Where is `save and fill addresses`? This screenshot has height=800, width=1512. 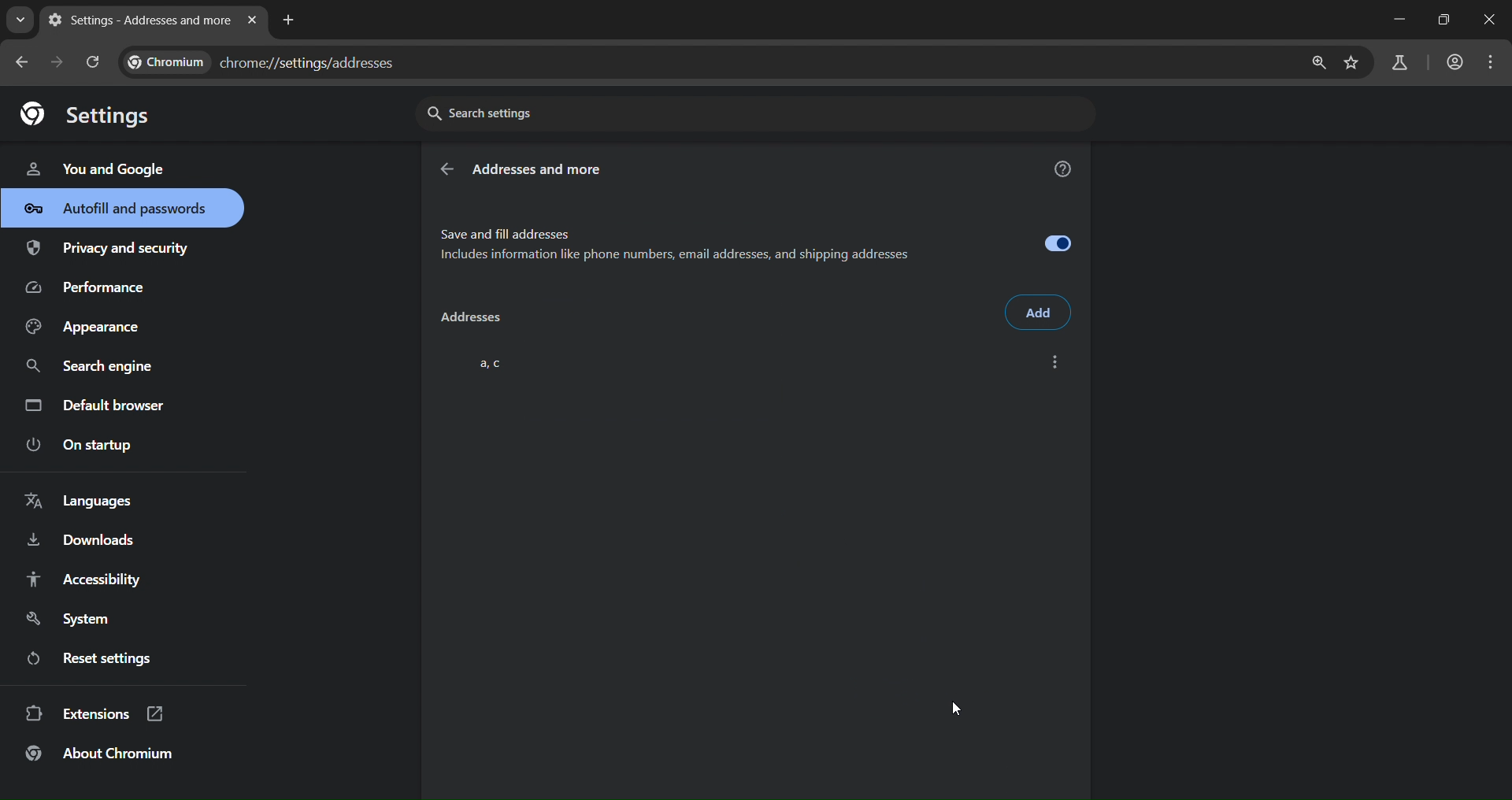 save and fill addresses is located at coordinates (757, 241).